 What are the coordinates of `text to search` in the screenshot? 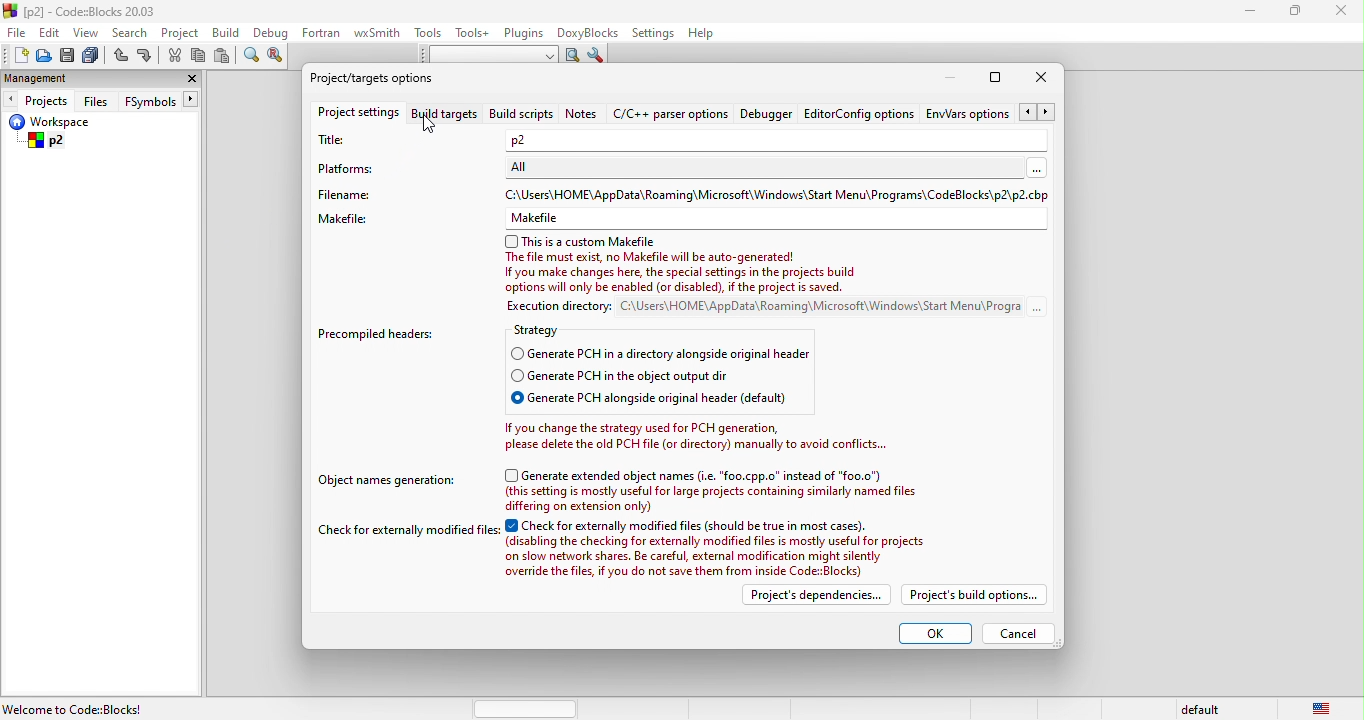 It's located at (483, 55).